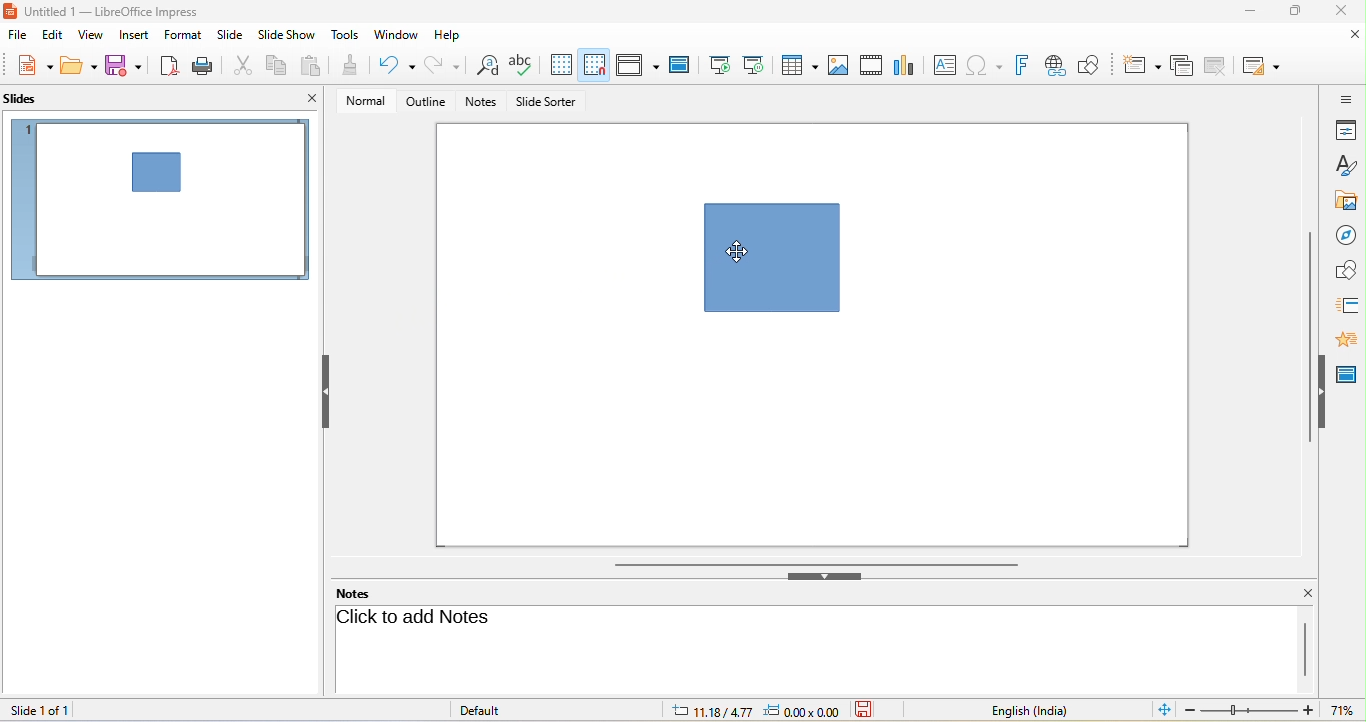 The width and height of the screenshot is (1366, 722). I want to click on close, so click(1299, 593).